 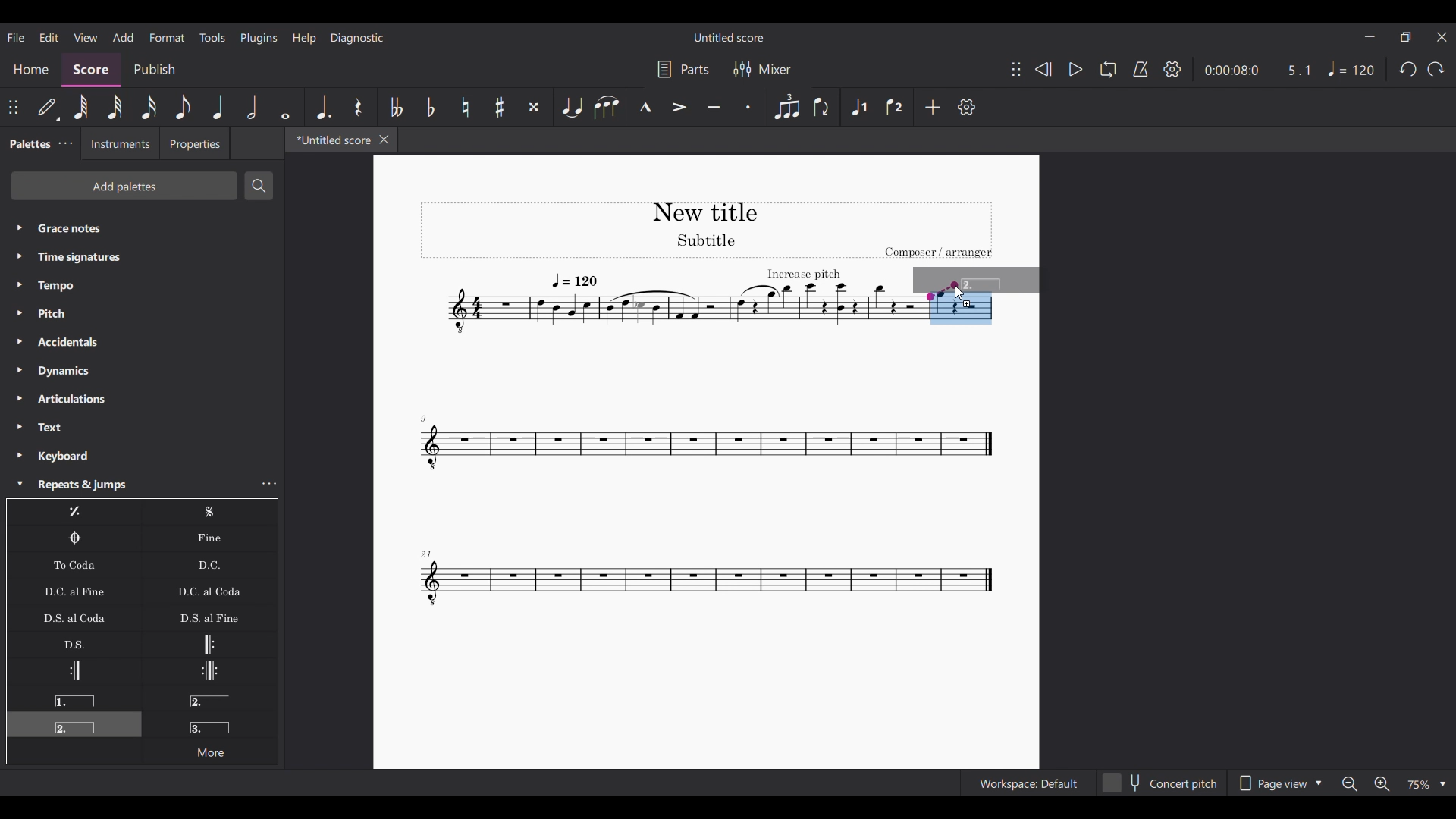 What do you see at coordinates (184, 107) in the screenshot?
I see `8th note` at bounding box center [184, 107].